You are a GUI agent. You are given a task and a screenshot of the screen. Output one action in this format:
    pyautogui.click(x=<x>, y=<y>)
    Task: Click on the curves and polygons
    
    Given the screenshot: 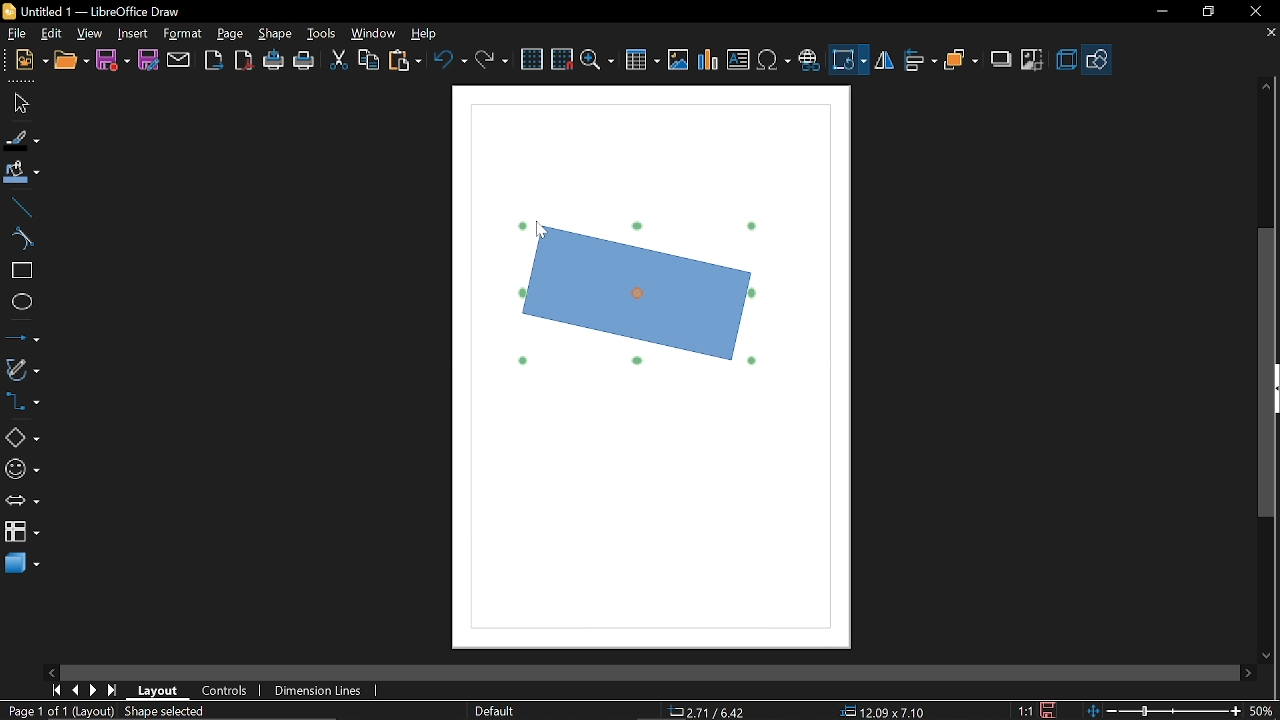 What is the action you would take?
    pyautogui.click(x=22, y=370)
    